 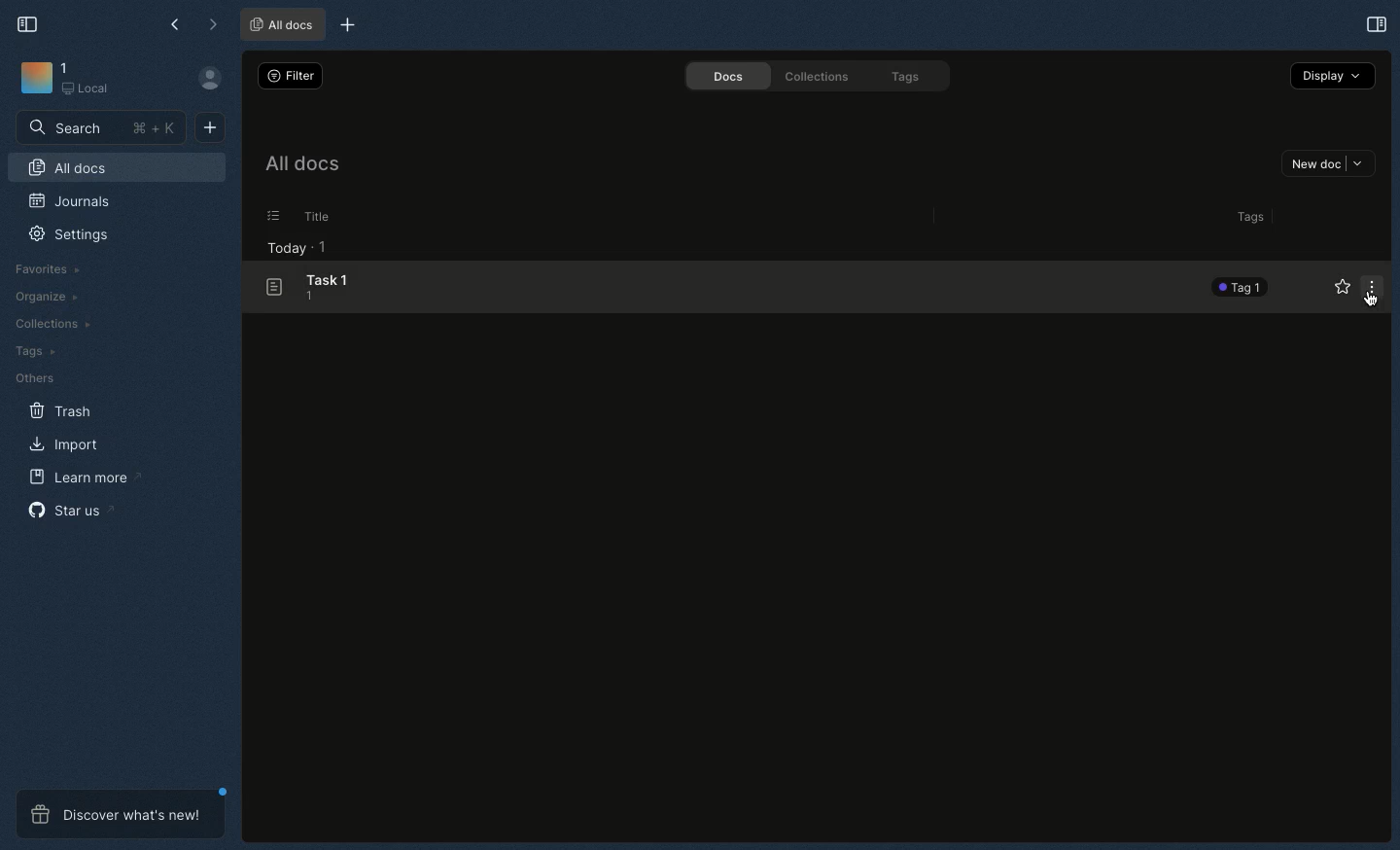 I want to click on Task, so click(x=301, y=288).